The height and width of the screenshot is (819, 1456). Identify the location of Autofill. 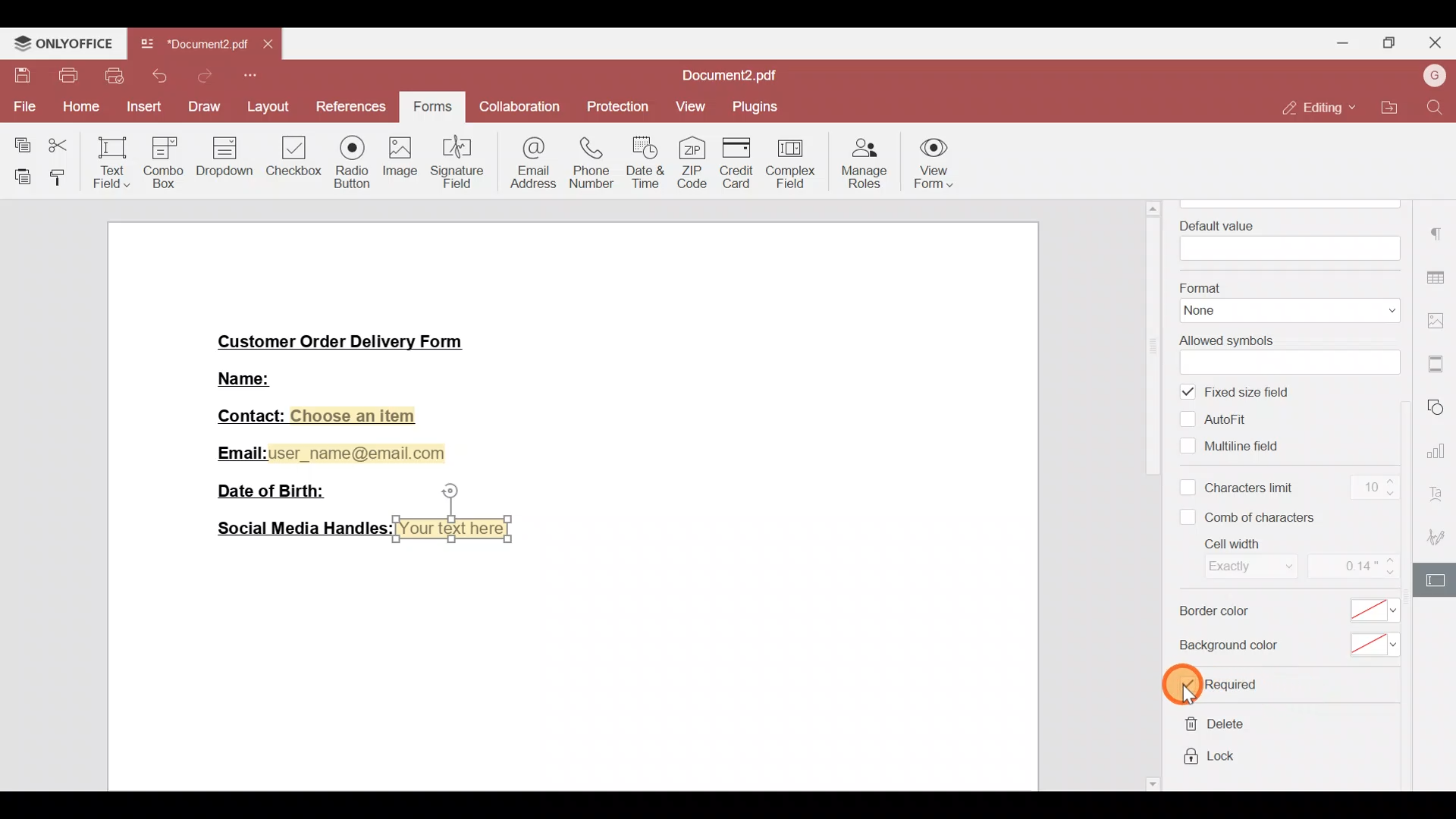
(1221, 419).